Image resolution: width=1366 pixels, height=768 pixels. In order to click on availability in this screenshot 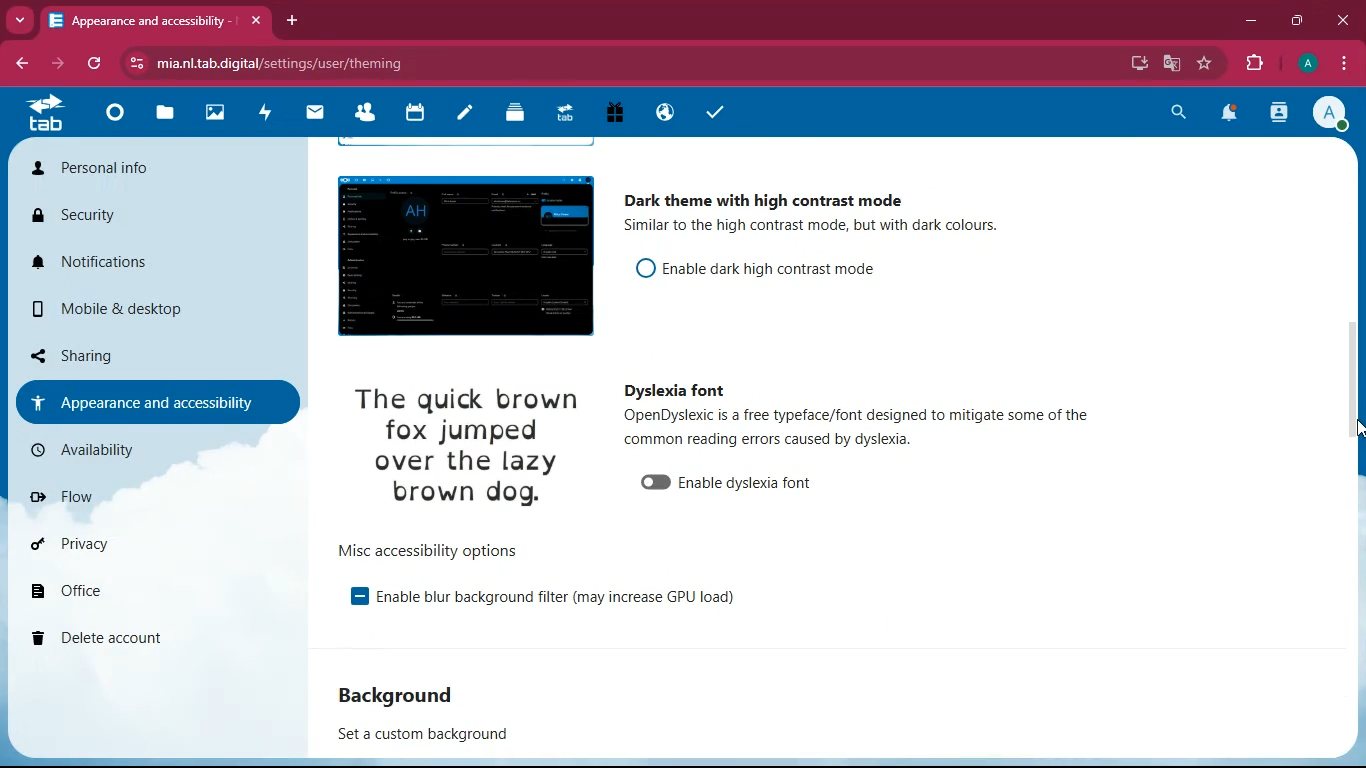, I will do `click(137, 456)`.